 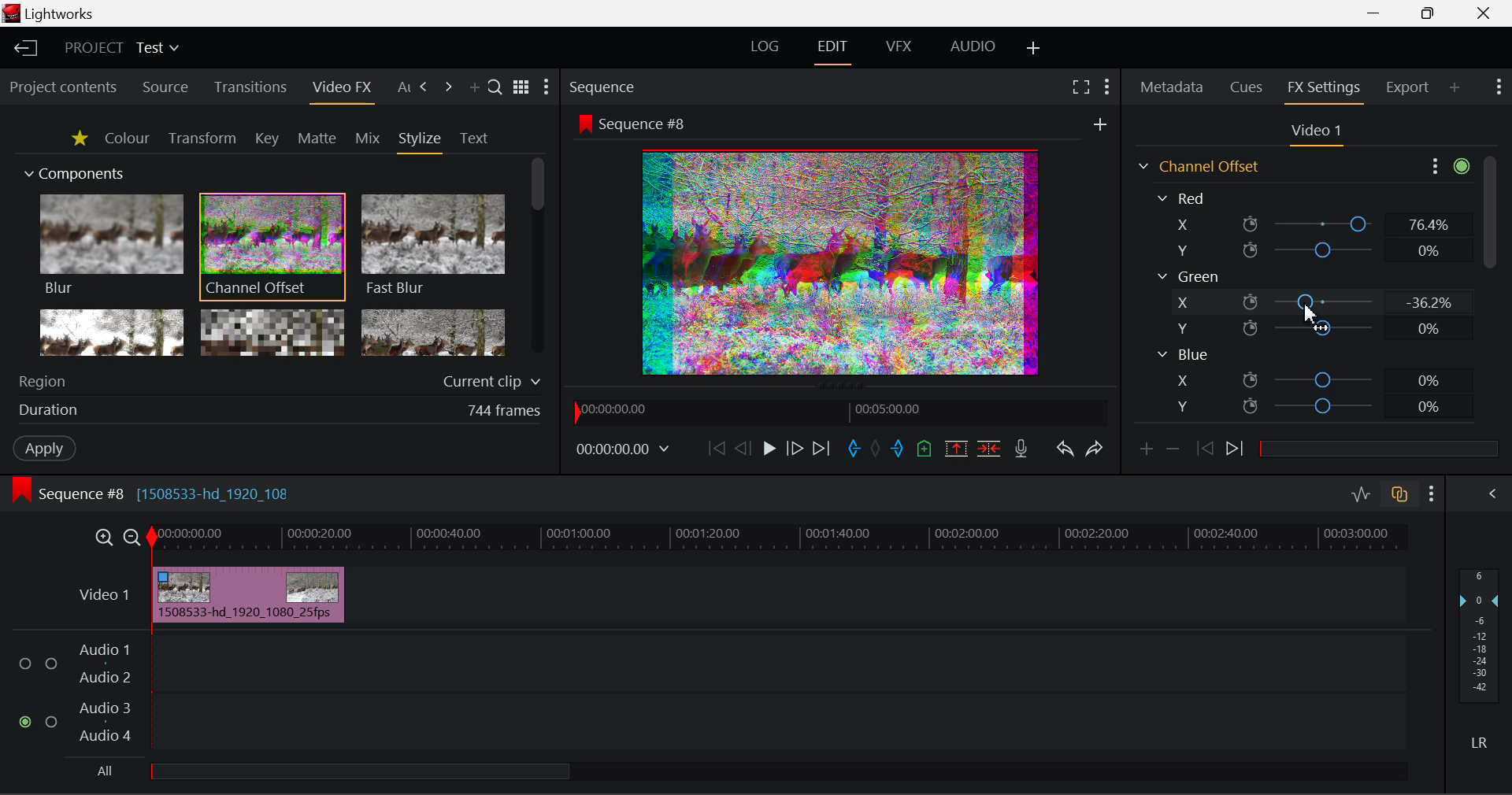 What do you see at coordinates (767, 449) in the screenshot?
I see `Play` at bounding box center [767, 449].